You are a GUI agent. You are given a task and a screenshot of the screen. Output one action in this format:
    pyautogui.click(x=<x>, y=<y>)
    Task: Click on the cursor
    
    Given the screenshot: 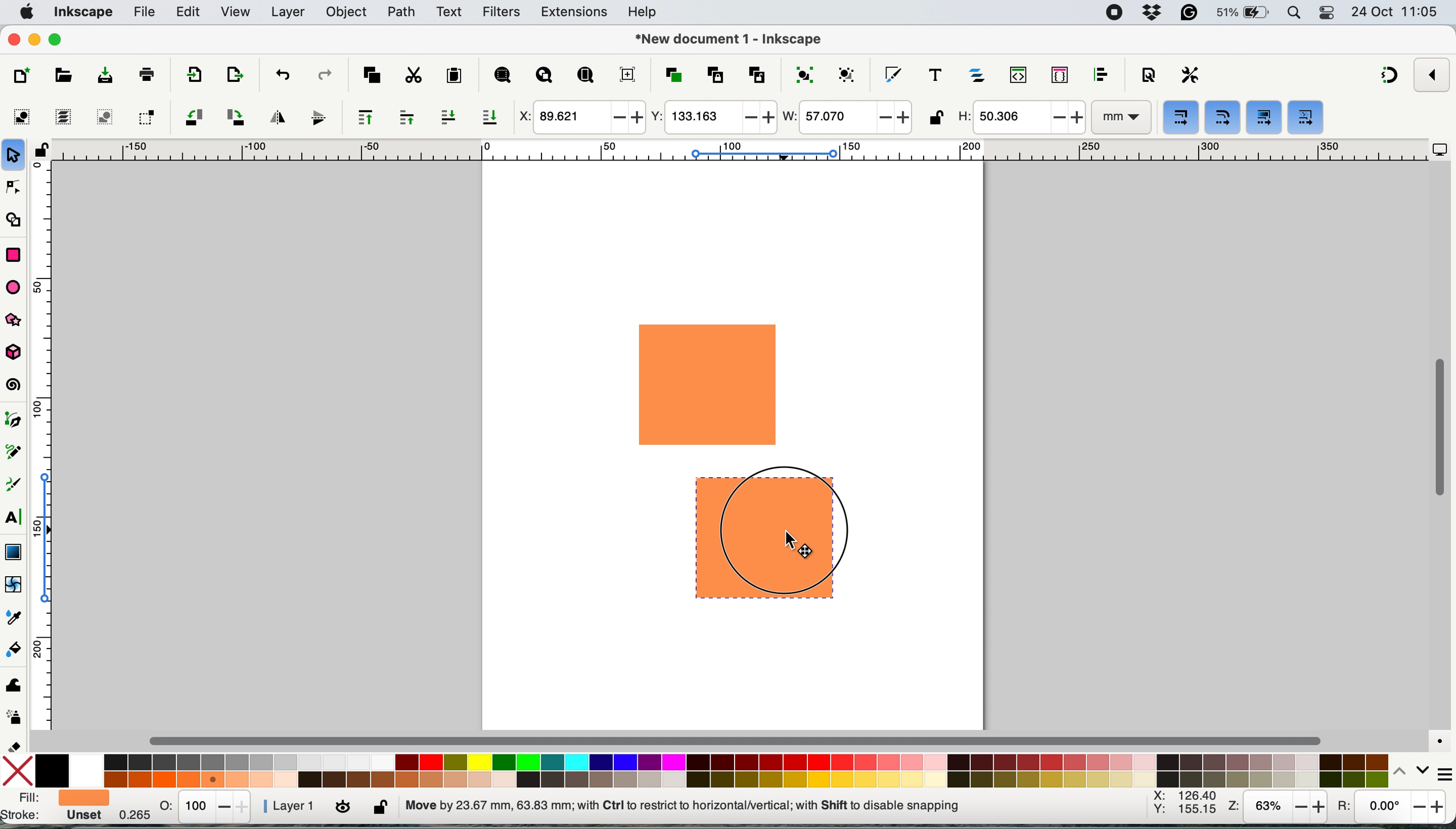 What is the action you would take?
    pyautogui.click(x=799, y=546)
    